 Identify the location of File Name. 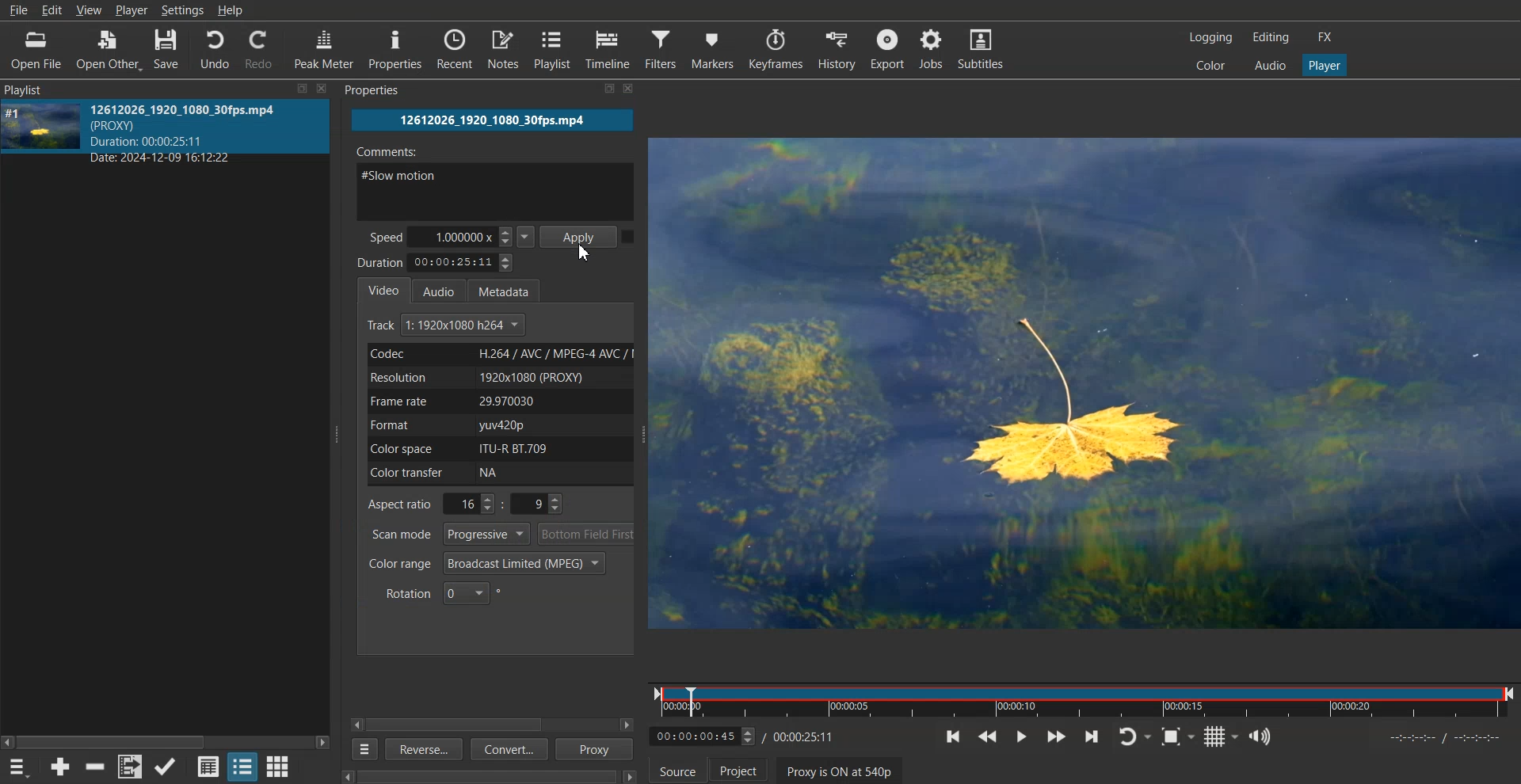
(493, 120).